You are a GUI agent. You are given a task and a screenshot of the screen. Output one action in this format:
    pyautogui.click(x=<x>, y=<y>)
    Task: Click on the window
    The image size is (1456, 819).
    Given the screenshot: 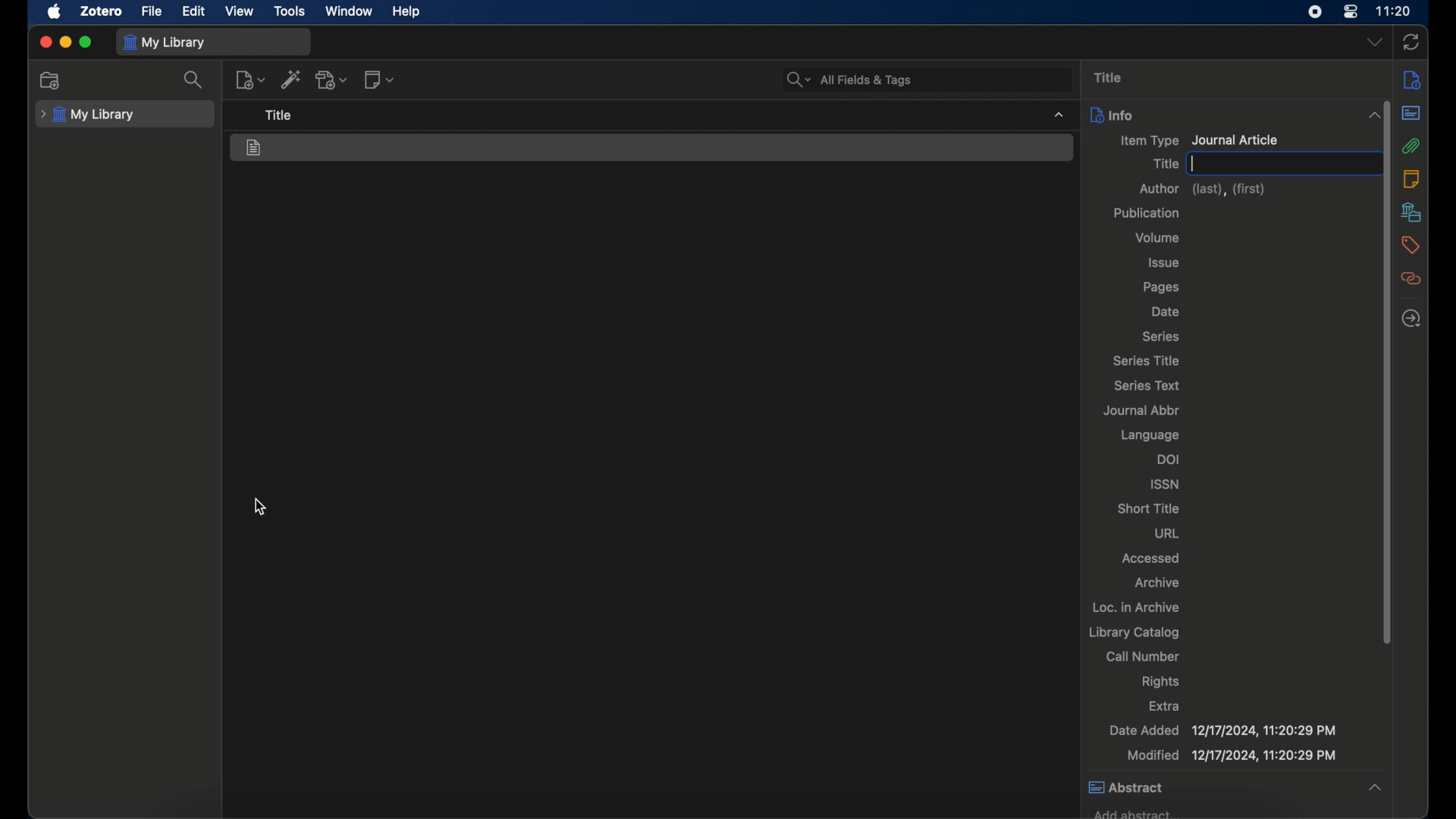 What is the action you would take?
    pyautogui.click(x=350, y=12)
    